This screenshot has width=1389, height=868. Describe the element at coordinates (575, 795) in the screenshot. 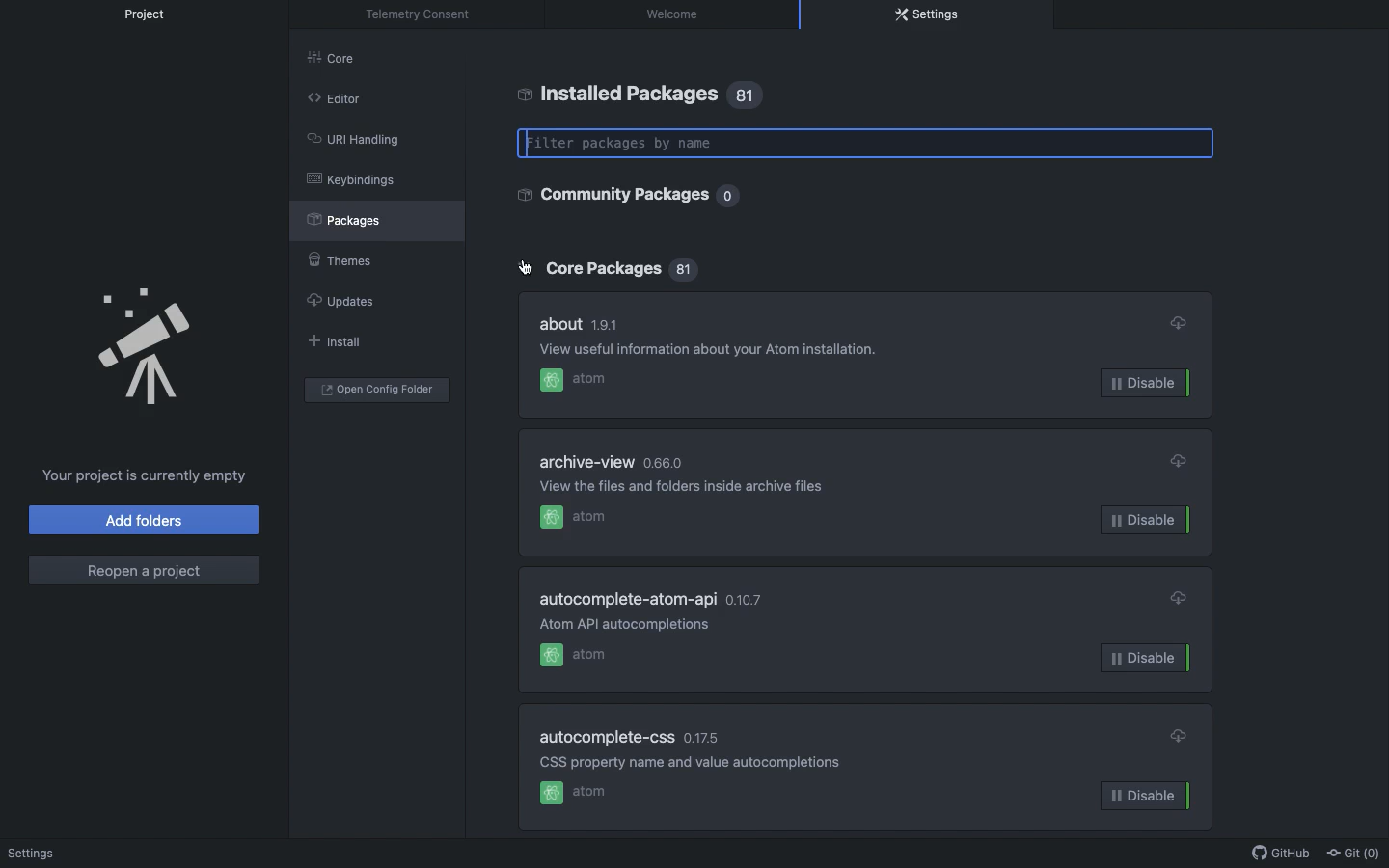

I see `Atom` at that location.